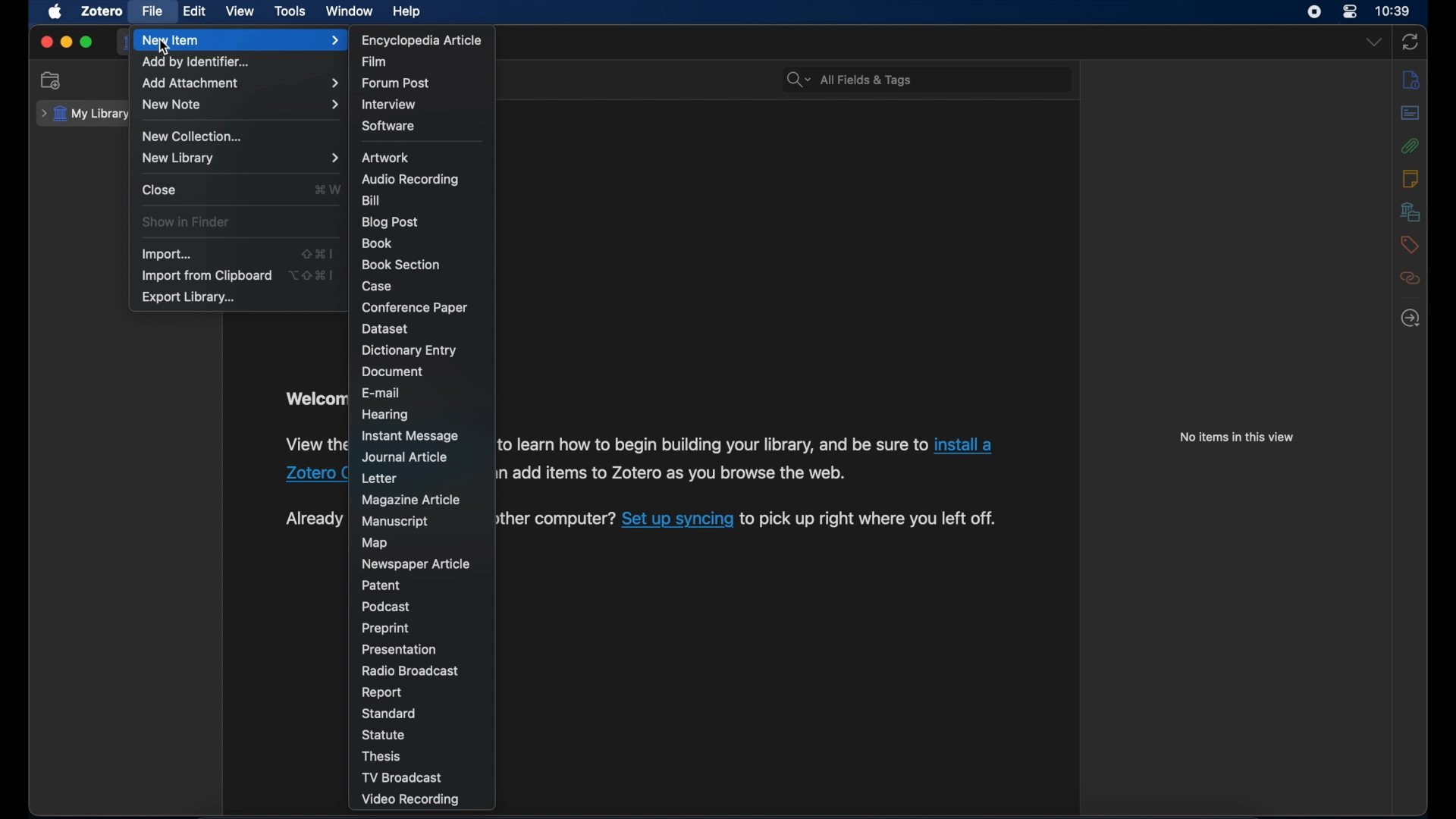  I want to click on film, so click(378, 61).